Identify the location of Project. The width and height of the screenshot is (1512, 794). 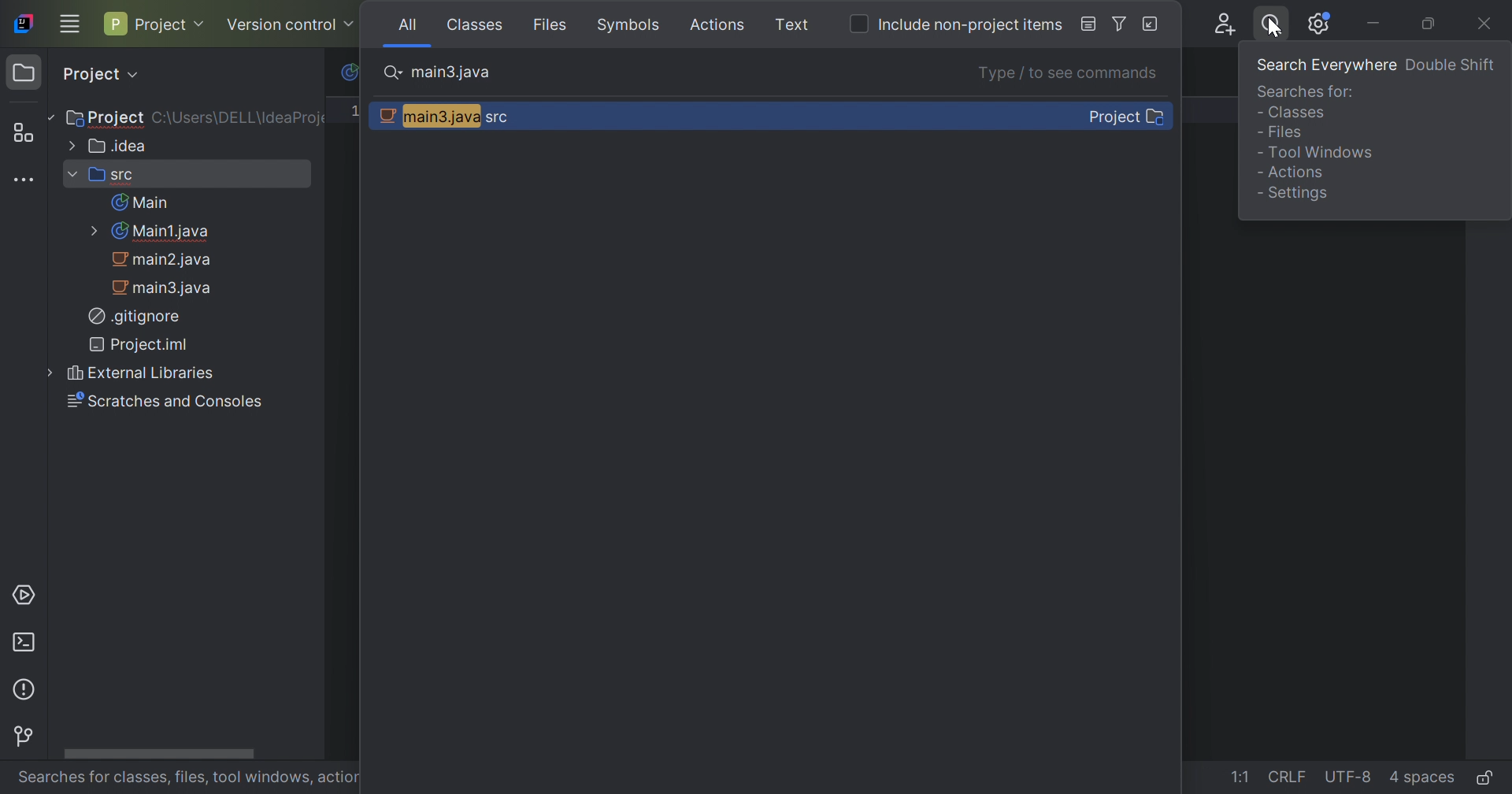
(1125, 115).